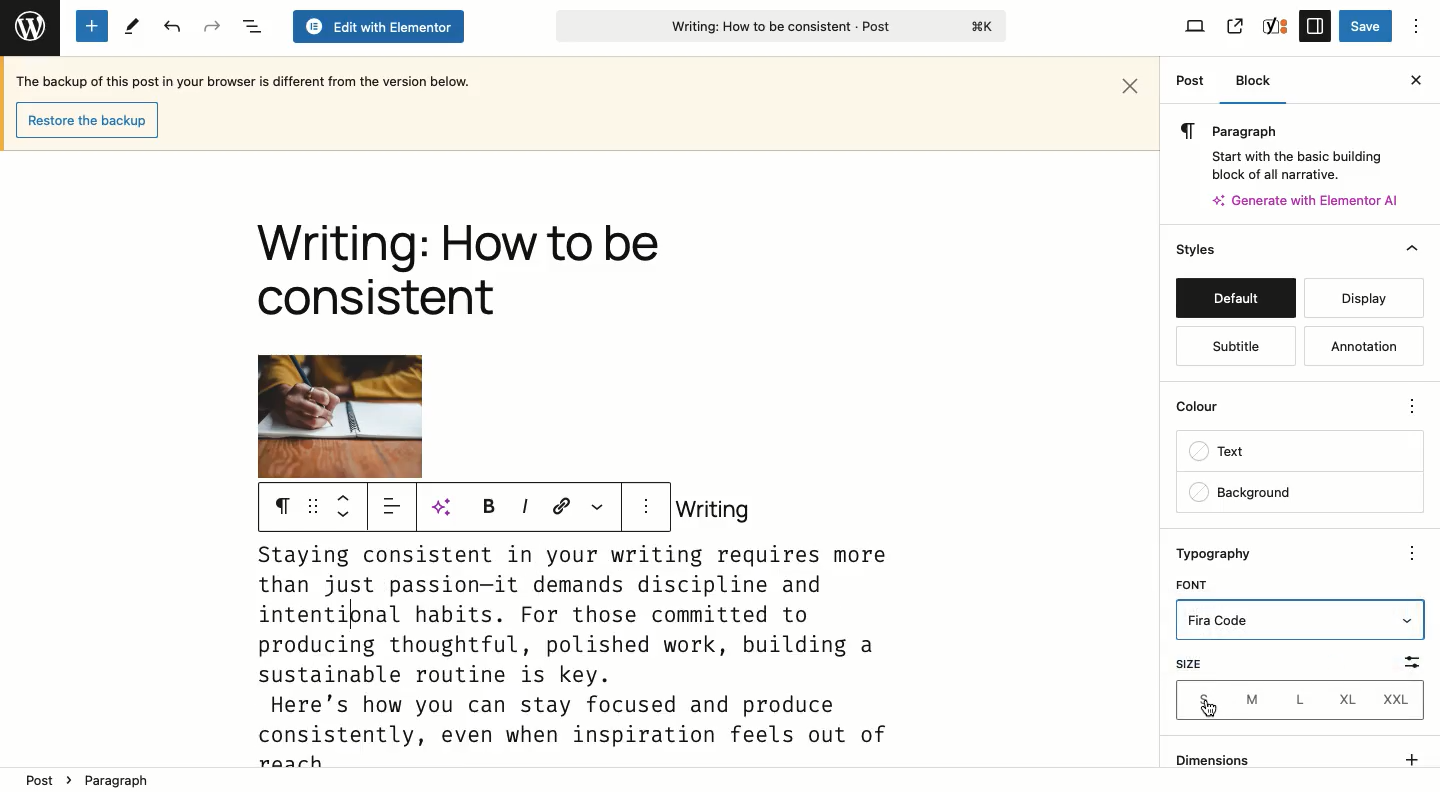 This screenshot has width=1440, height=792. What do you see at coordinates (1235, 347) in the screenshot?
I see `Subtitle` at bounding box center [1235, 347].